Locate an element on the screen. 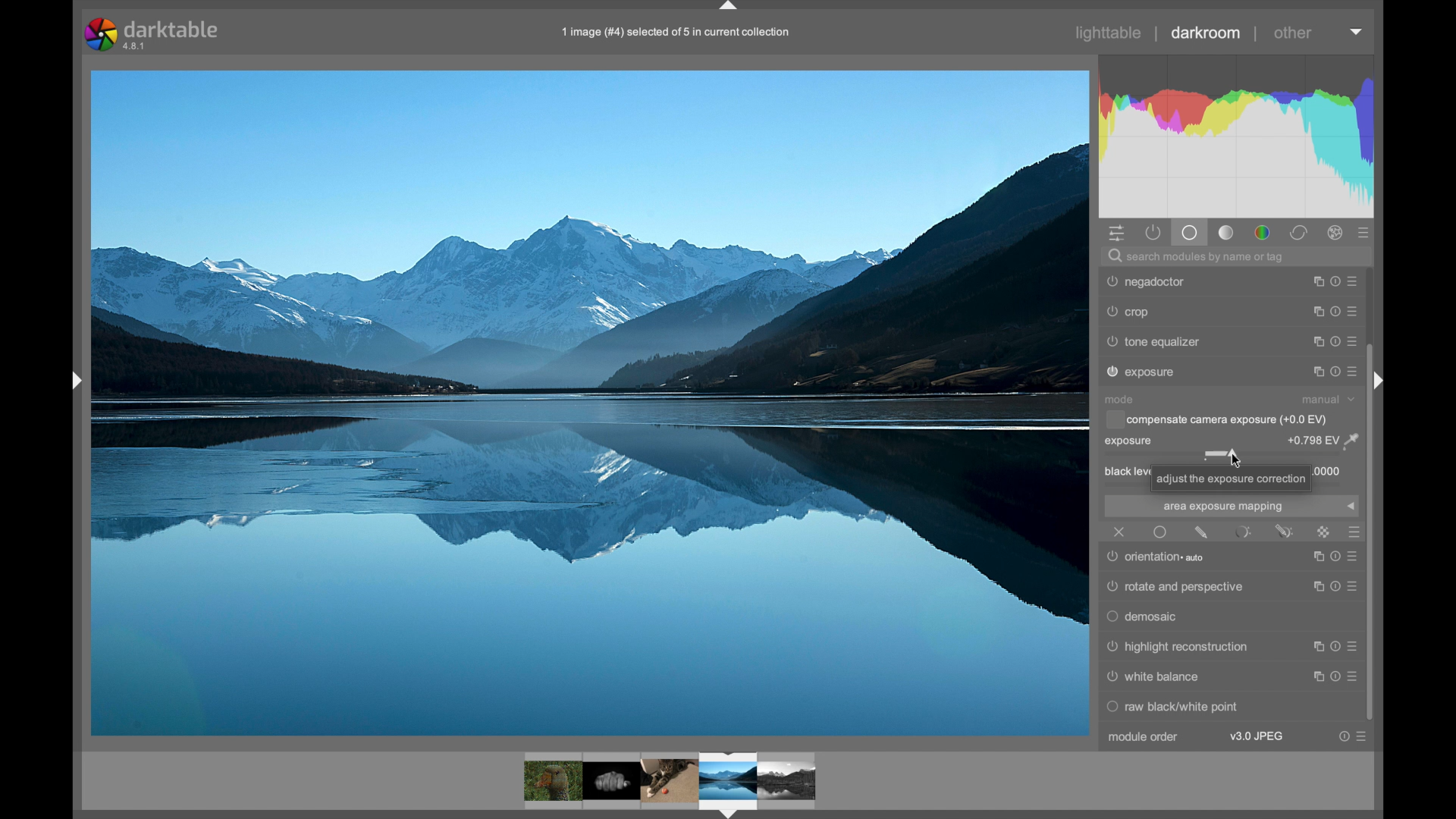 This screenshot has height=819, width=1456. exposure is located at coordinates (1130, 441).